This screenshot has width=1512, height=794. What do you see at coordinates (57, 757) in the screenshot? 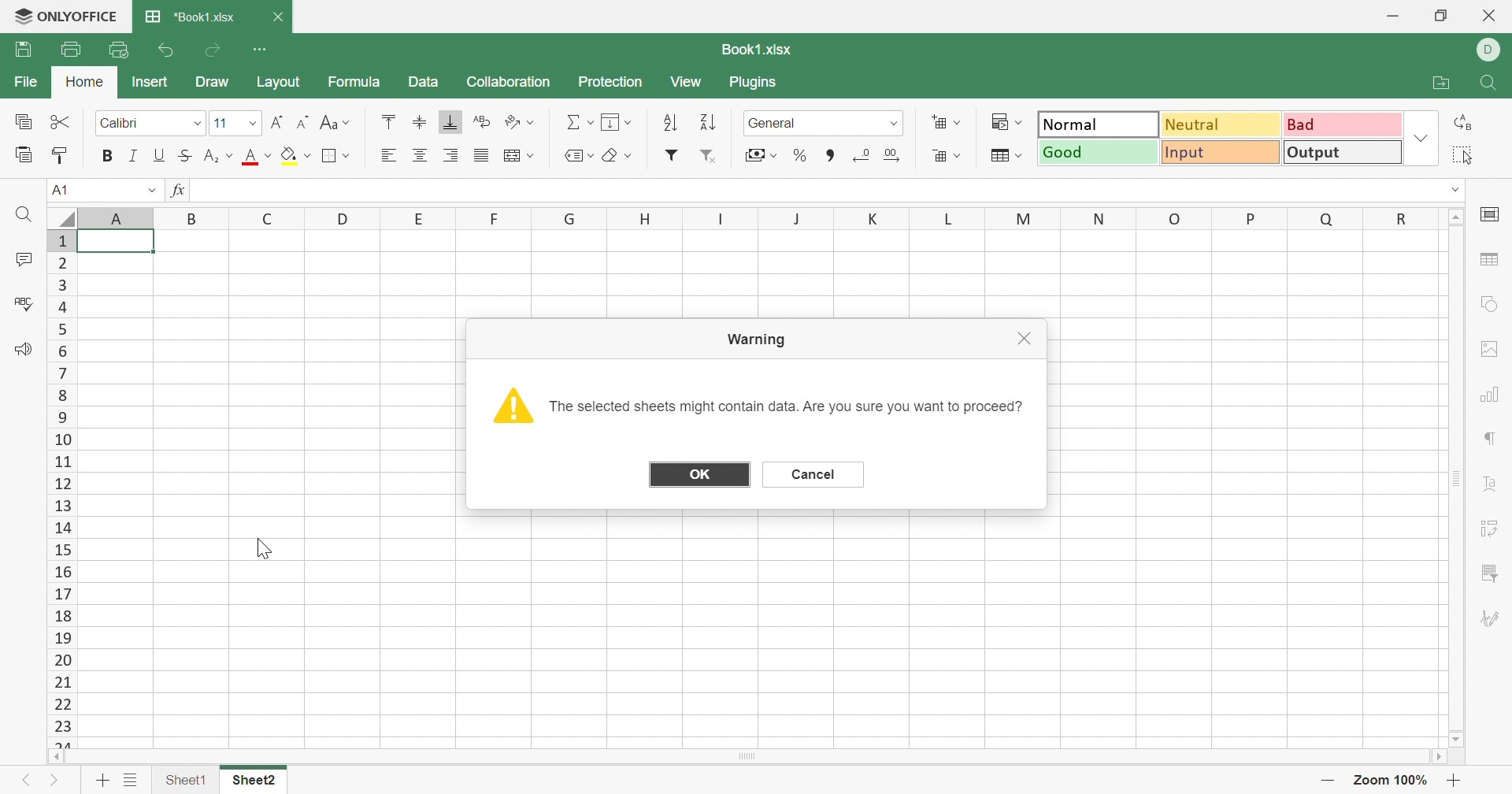
I see `Scroll Left` at bounding box center [57, 757].